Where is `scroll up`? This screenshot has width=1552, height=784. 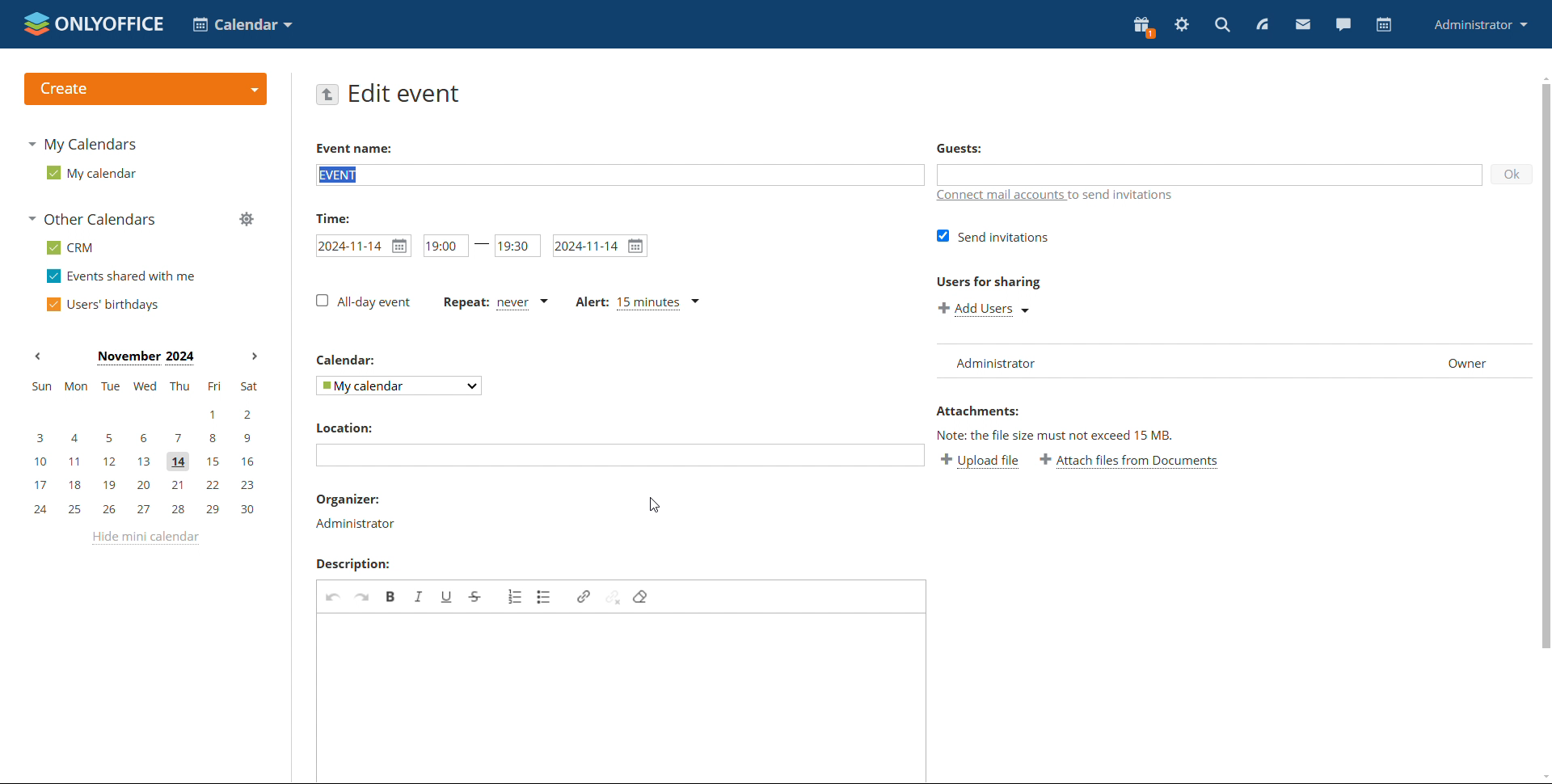 scroll up is located at coordinates (1542, 78).